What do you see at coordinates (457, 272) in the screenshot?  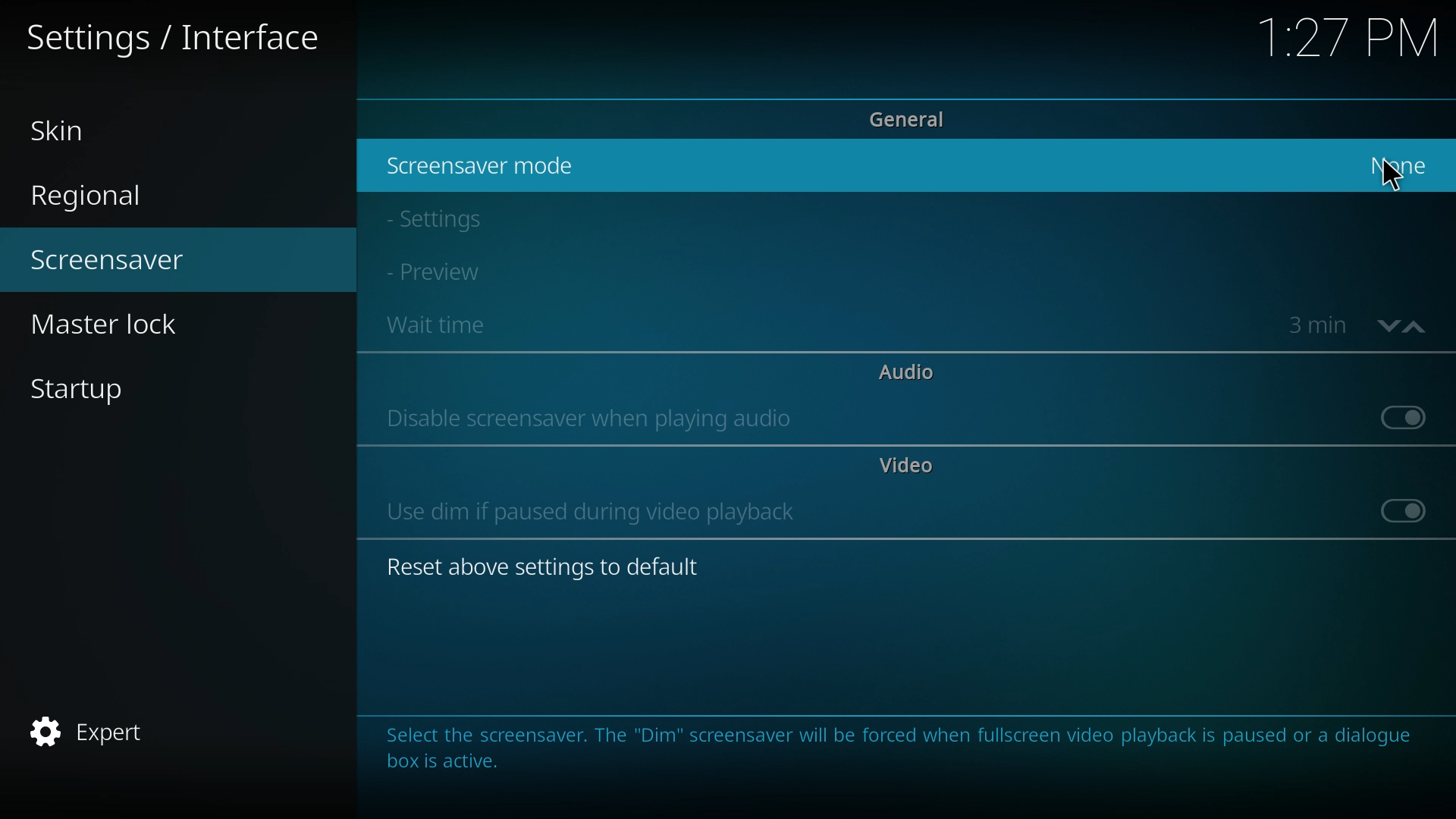 I see `preview` at bounding box center [457, 272].